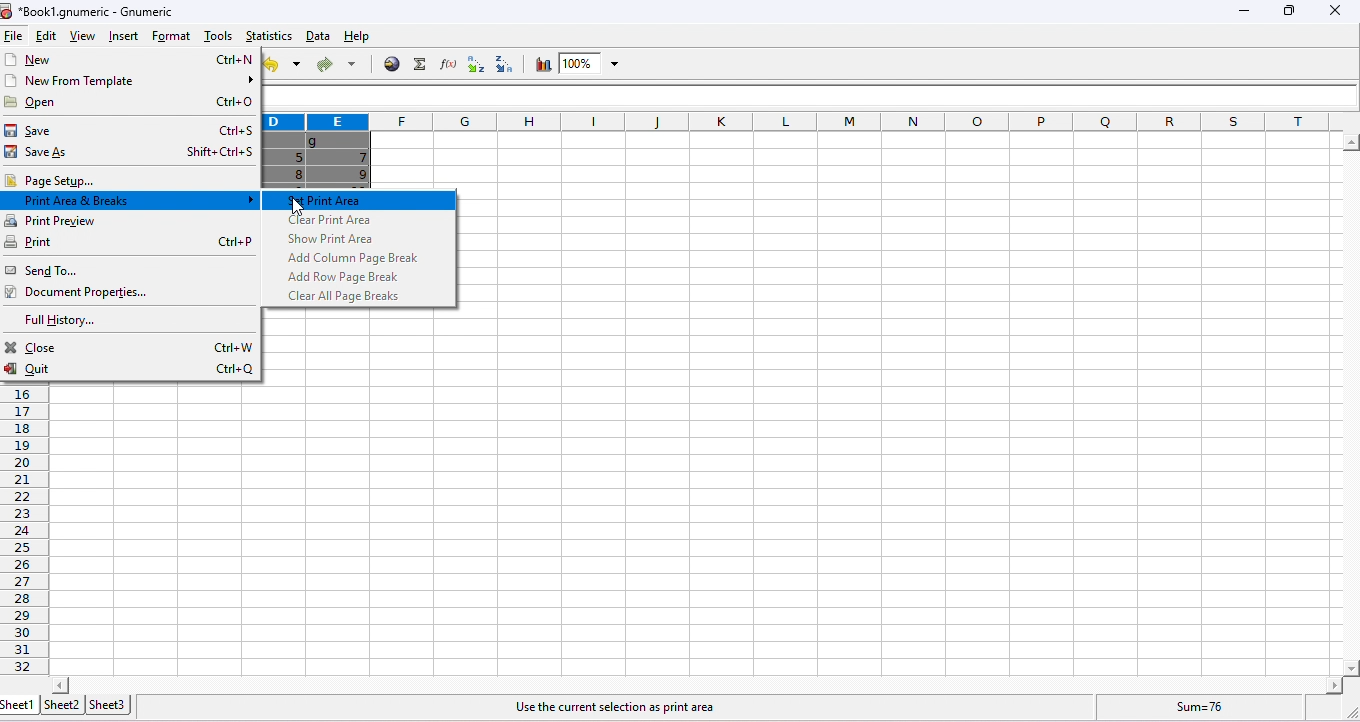  Describe the element at coordinates (1204, 706) in the screenshot. I see `sum=76` at that location.